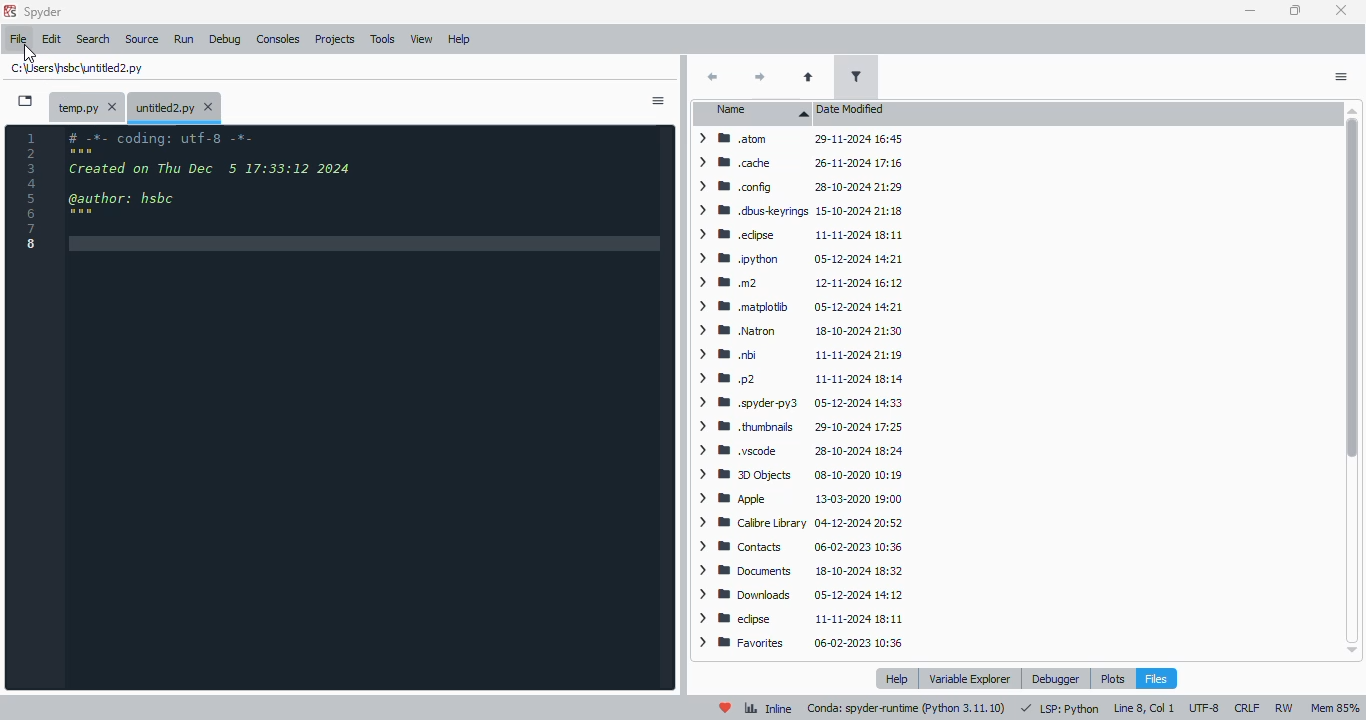 The height and width of the screenshot is (720, 1366). I want to click on untitled2.py, so click(162, 106).